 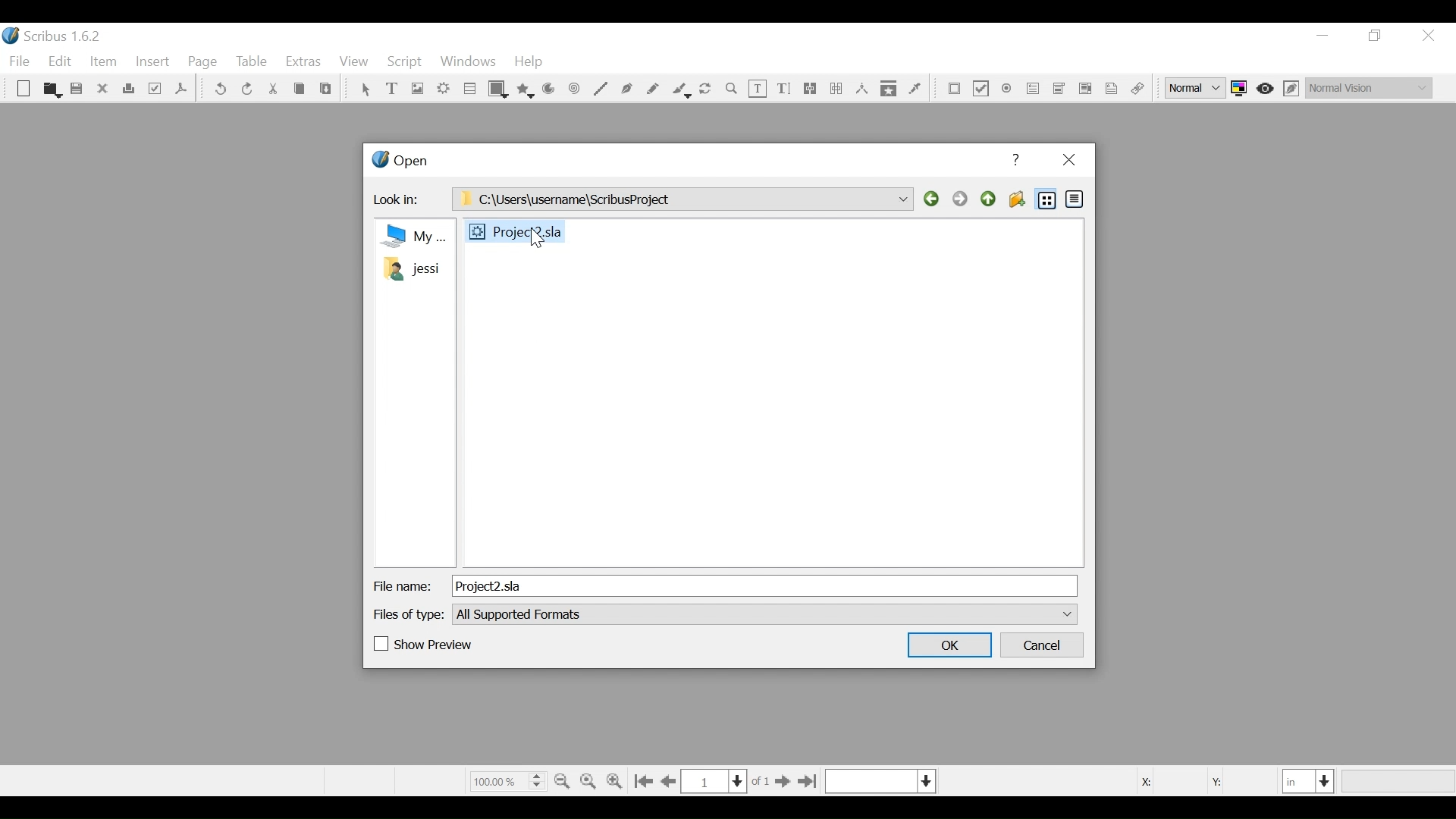 What do you see at coordinates (714, 781) in the screenshot?
I see `Current Page` at bounding box center [714, 781].